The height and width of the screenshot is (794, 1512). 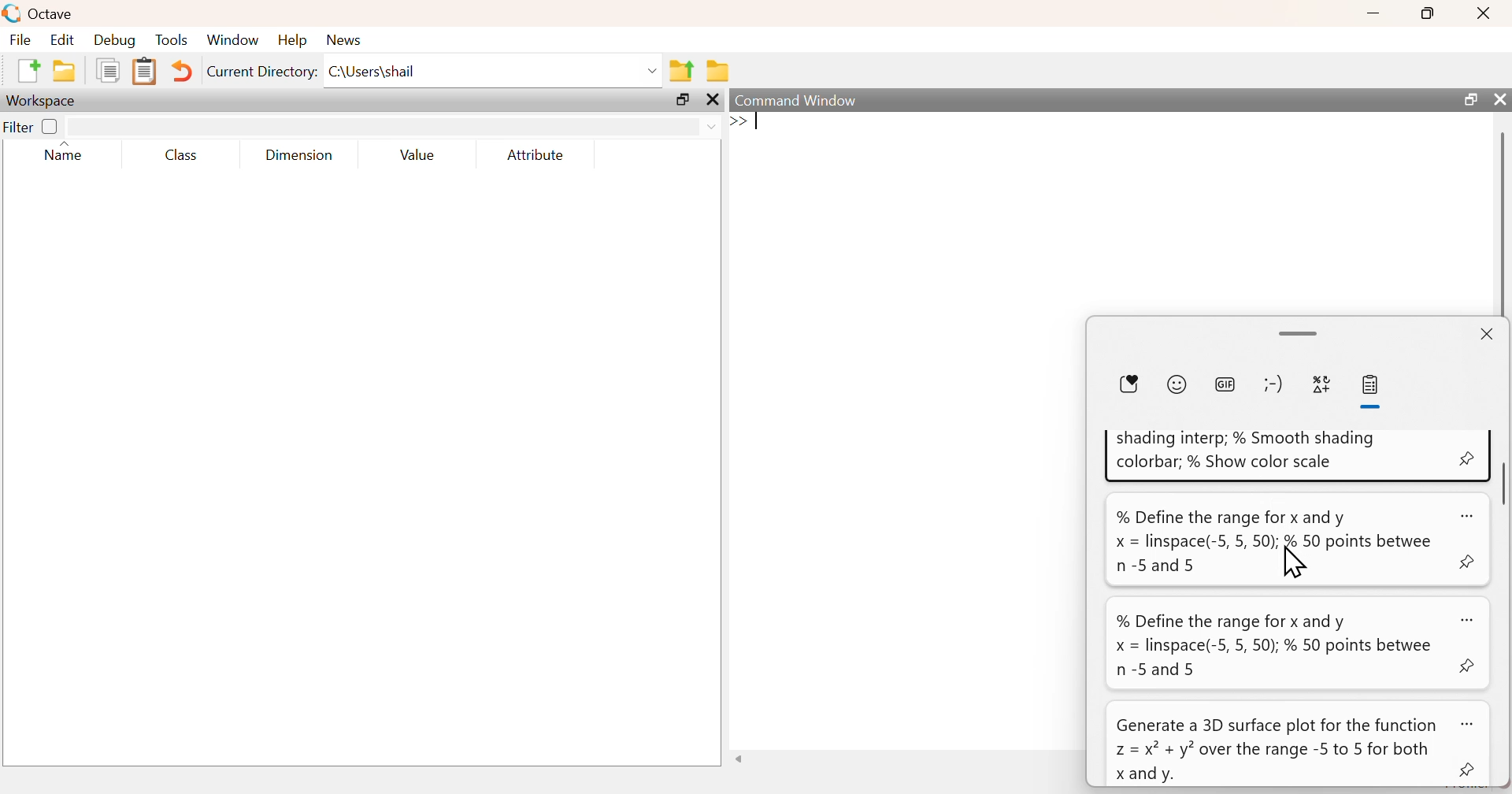 What do you see at coordinates (143, 72) in the screenshot?
I see `Clipboard` at bounding box center [143, 72].